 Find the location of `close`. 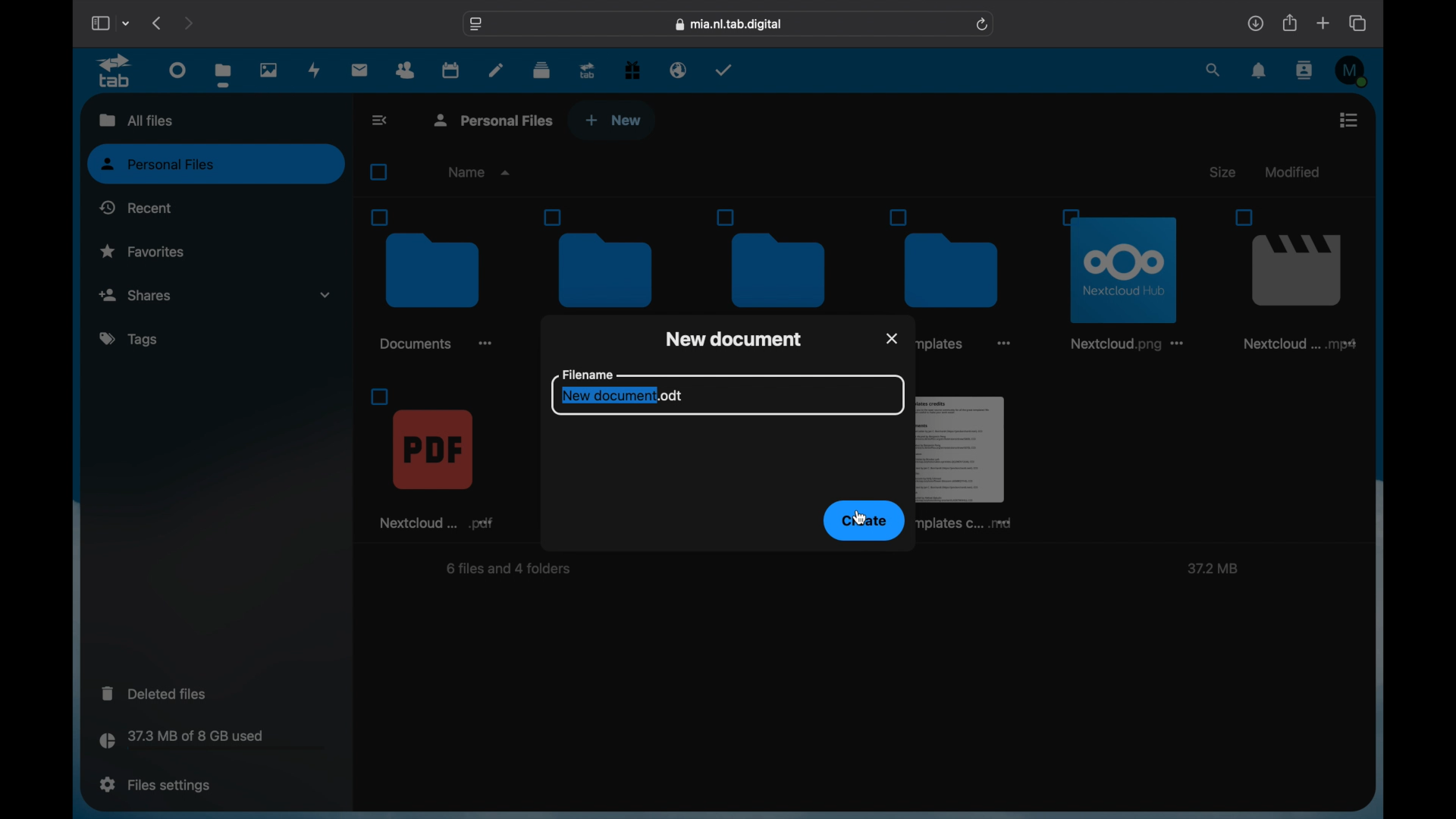

close is located at coordinates (893, 337).